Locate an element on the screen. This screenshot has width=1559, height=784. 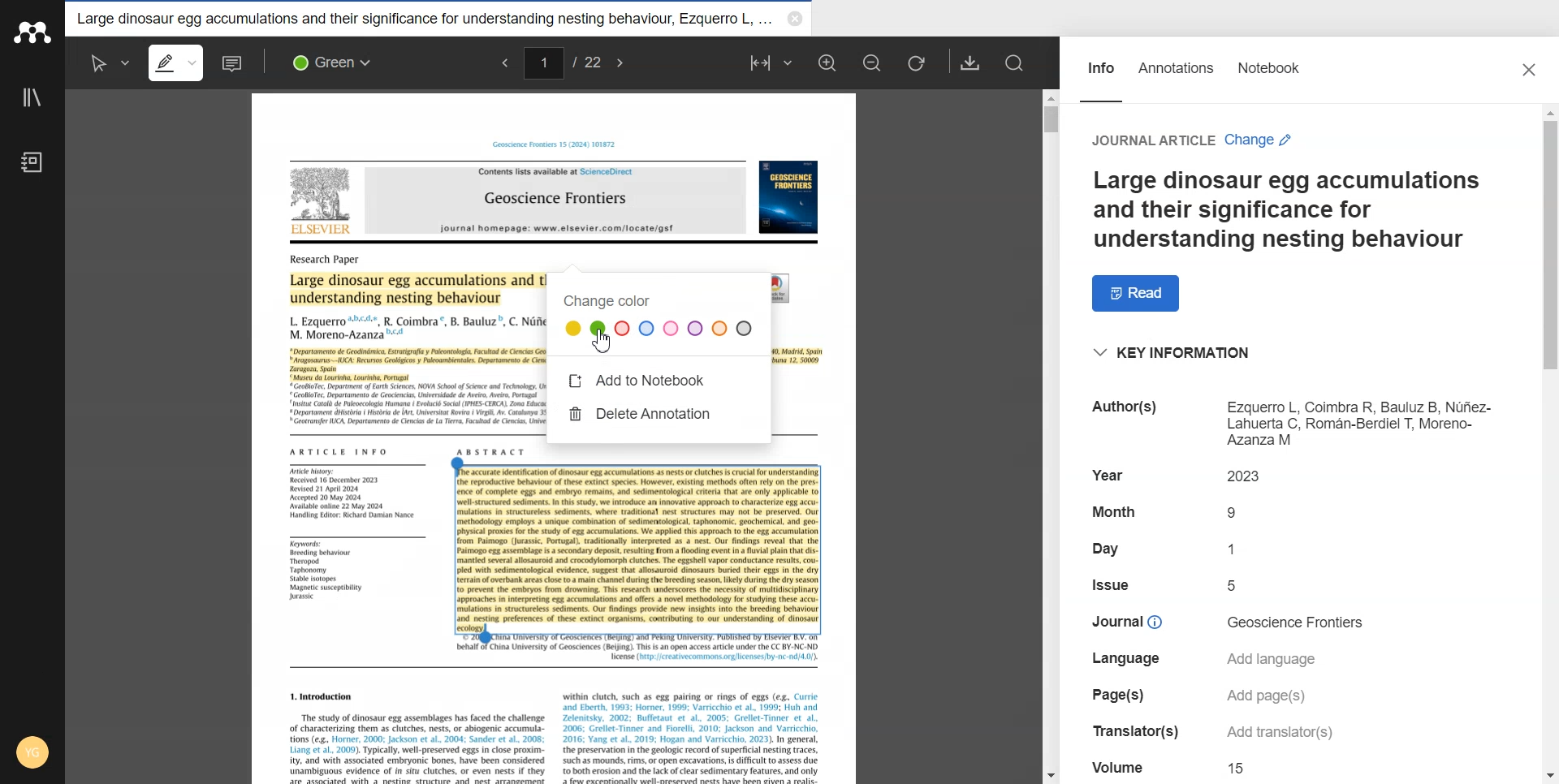
text is located at coordinates (1299, 622).